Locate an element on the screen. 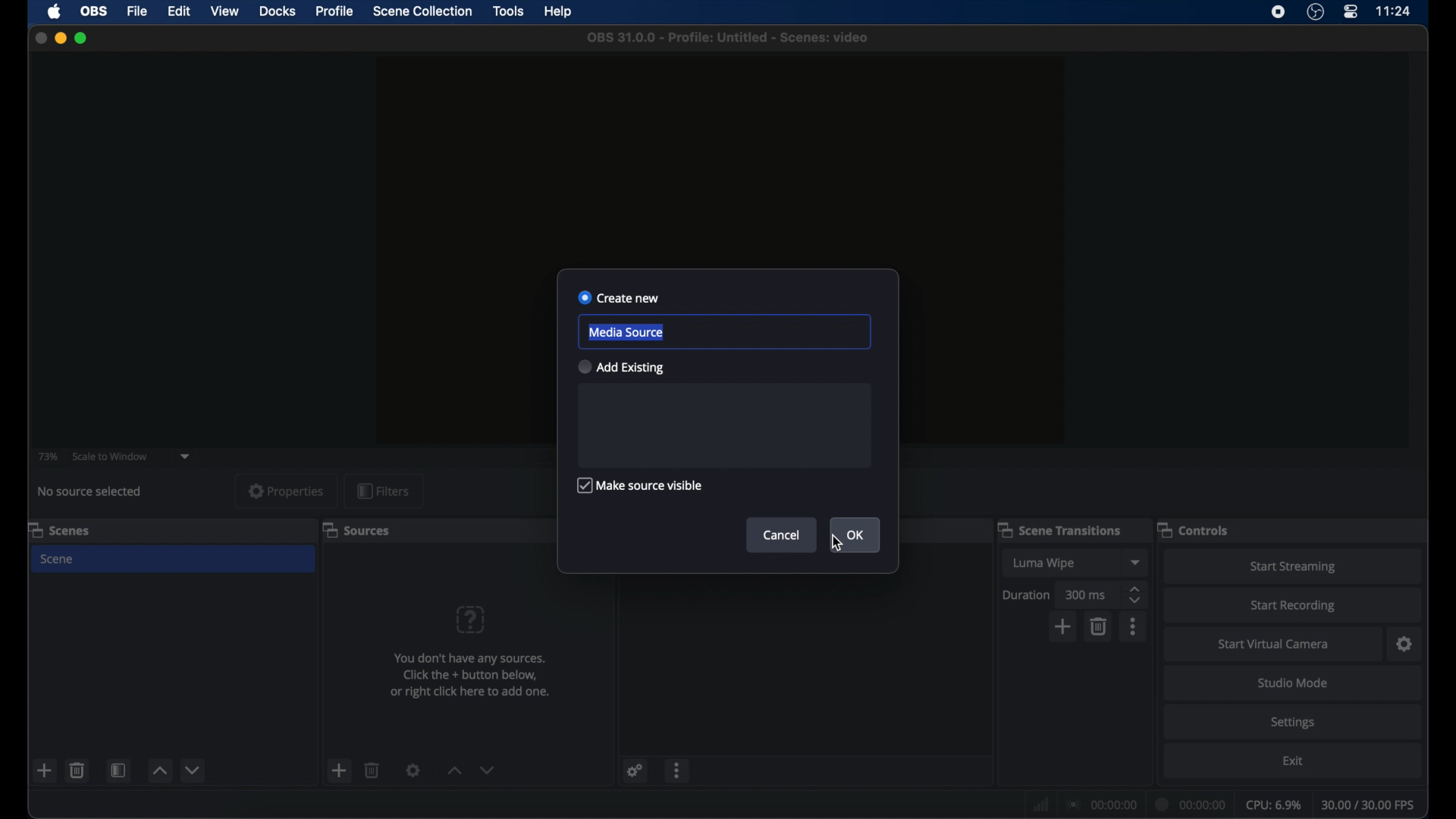  profile is located at coordinates (336, 11).